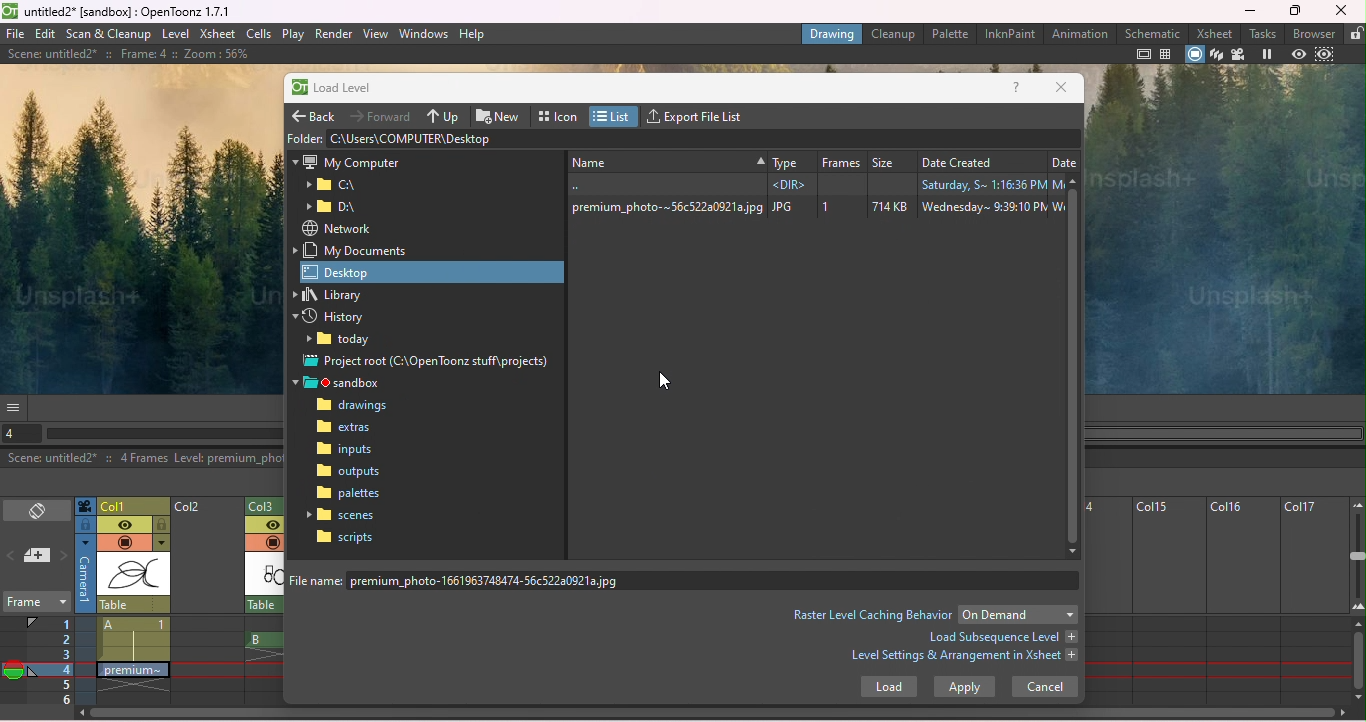  I want to click on Scripts , so click(345, 537).